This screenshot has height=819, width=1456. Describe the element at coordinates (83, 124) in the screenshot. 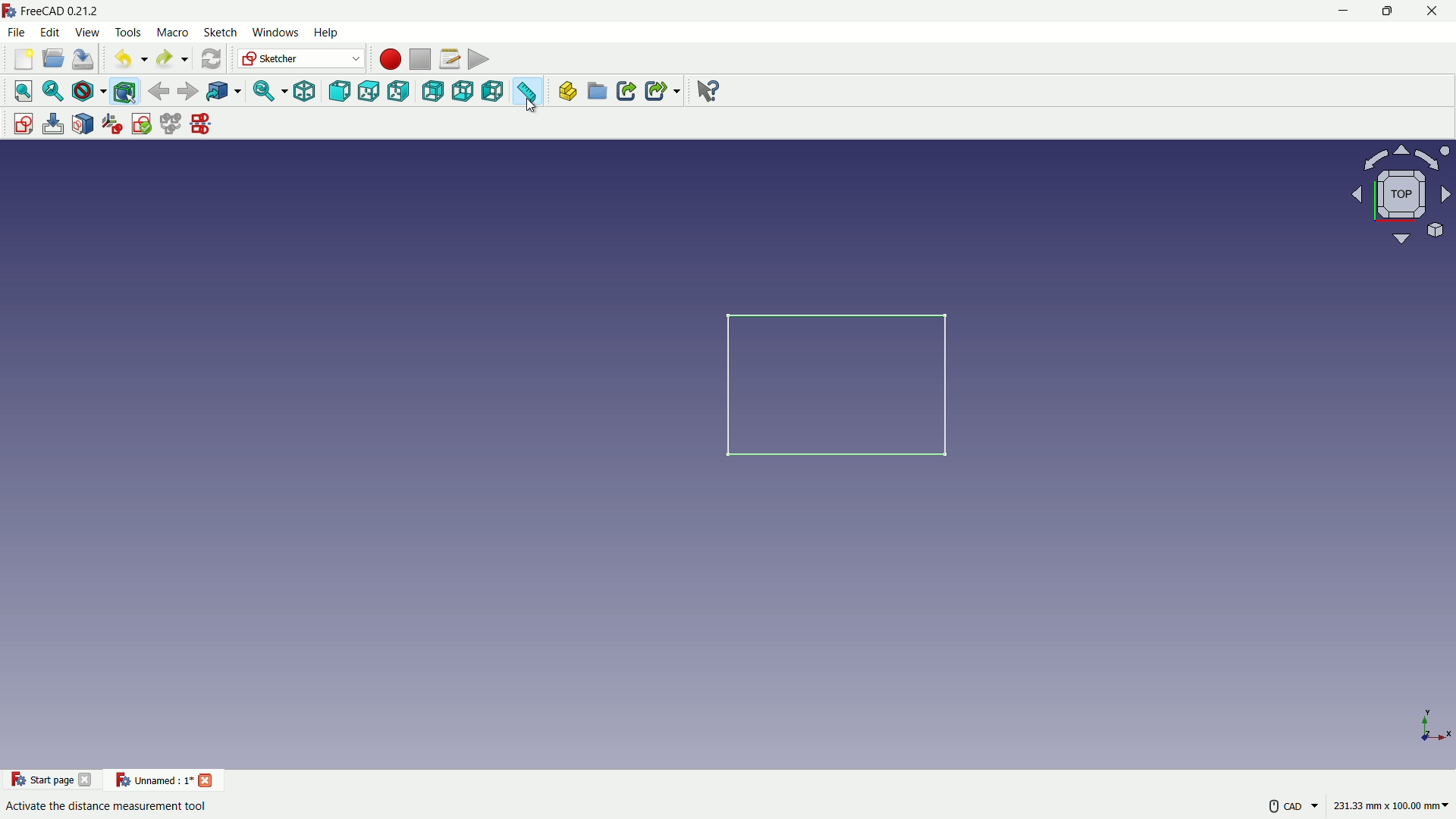

I see `map sketch to face` at that location.